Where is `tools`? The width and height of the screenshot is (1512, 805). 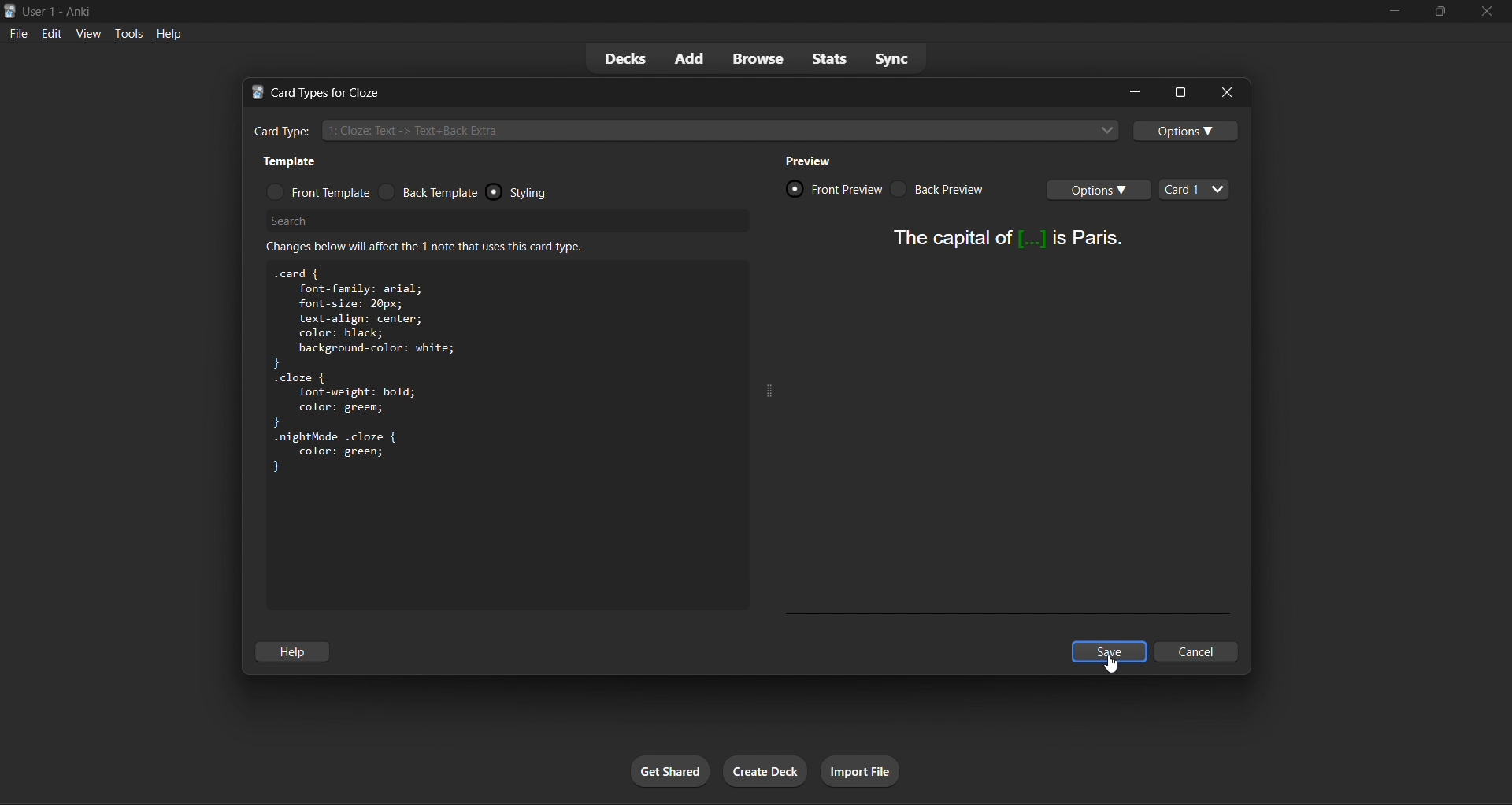
tools is located at coordinates (128, 33).